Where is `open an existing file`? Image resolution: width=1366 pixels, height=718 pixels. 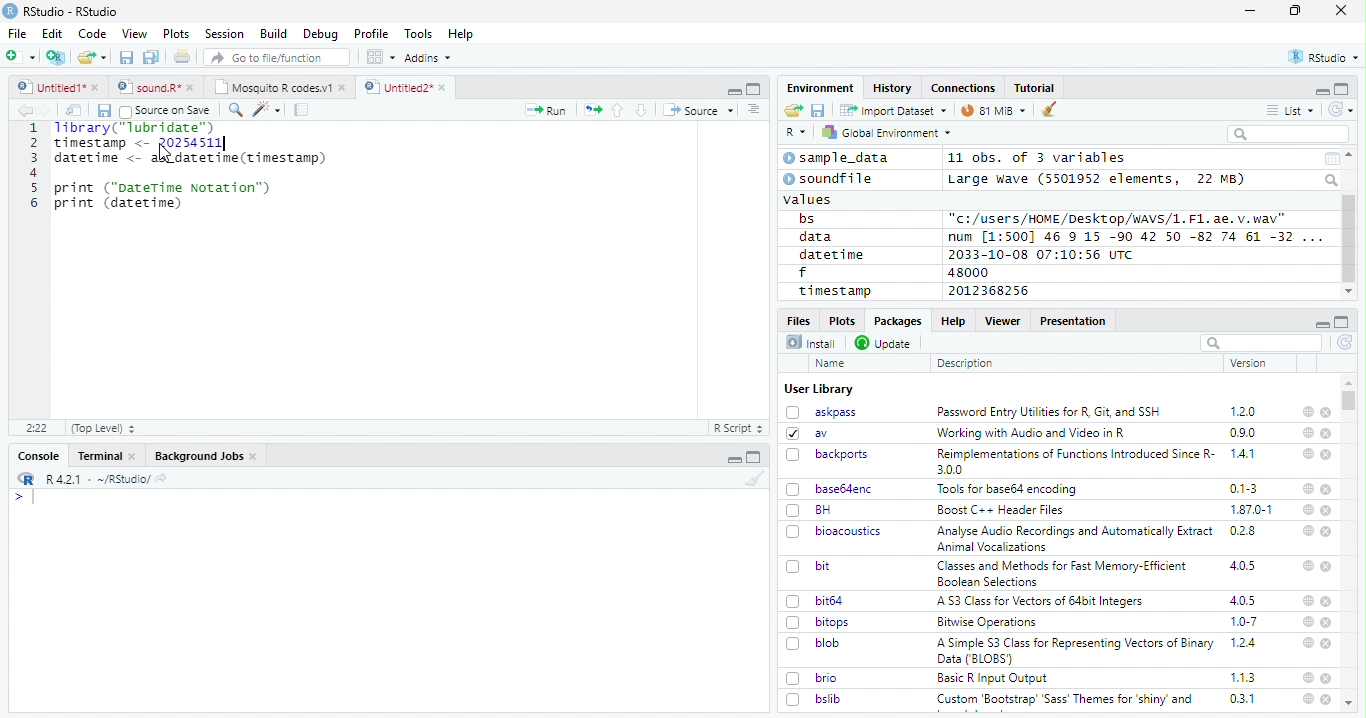 open an existing file is located at coordinates (91, 58).